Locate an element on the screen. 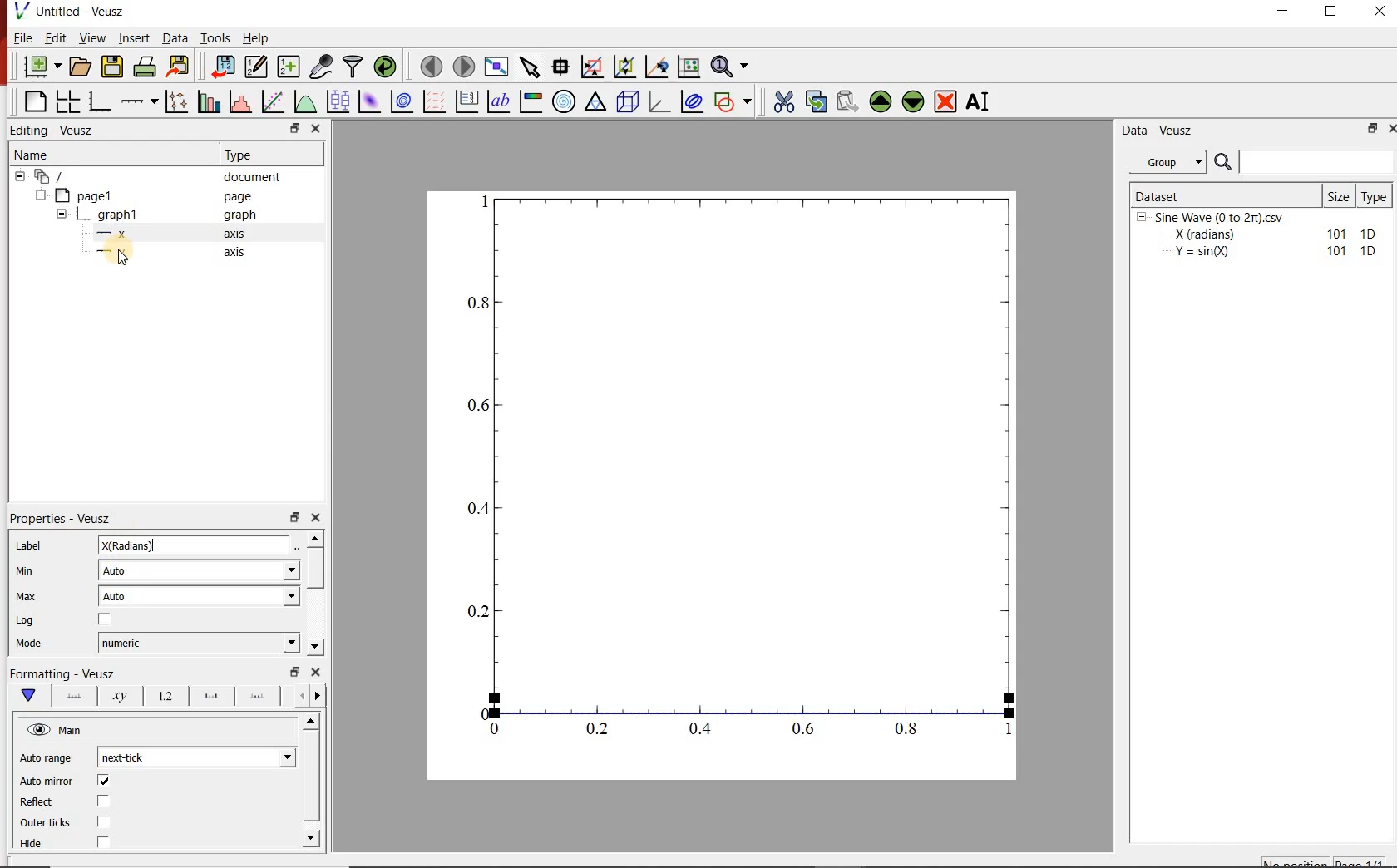 This screenshot has width=1397, height=868. Search is located at coordinates (1305, 162).